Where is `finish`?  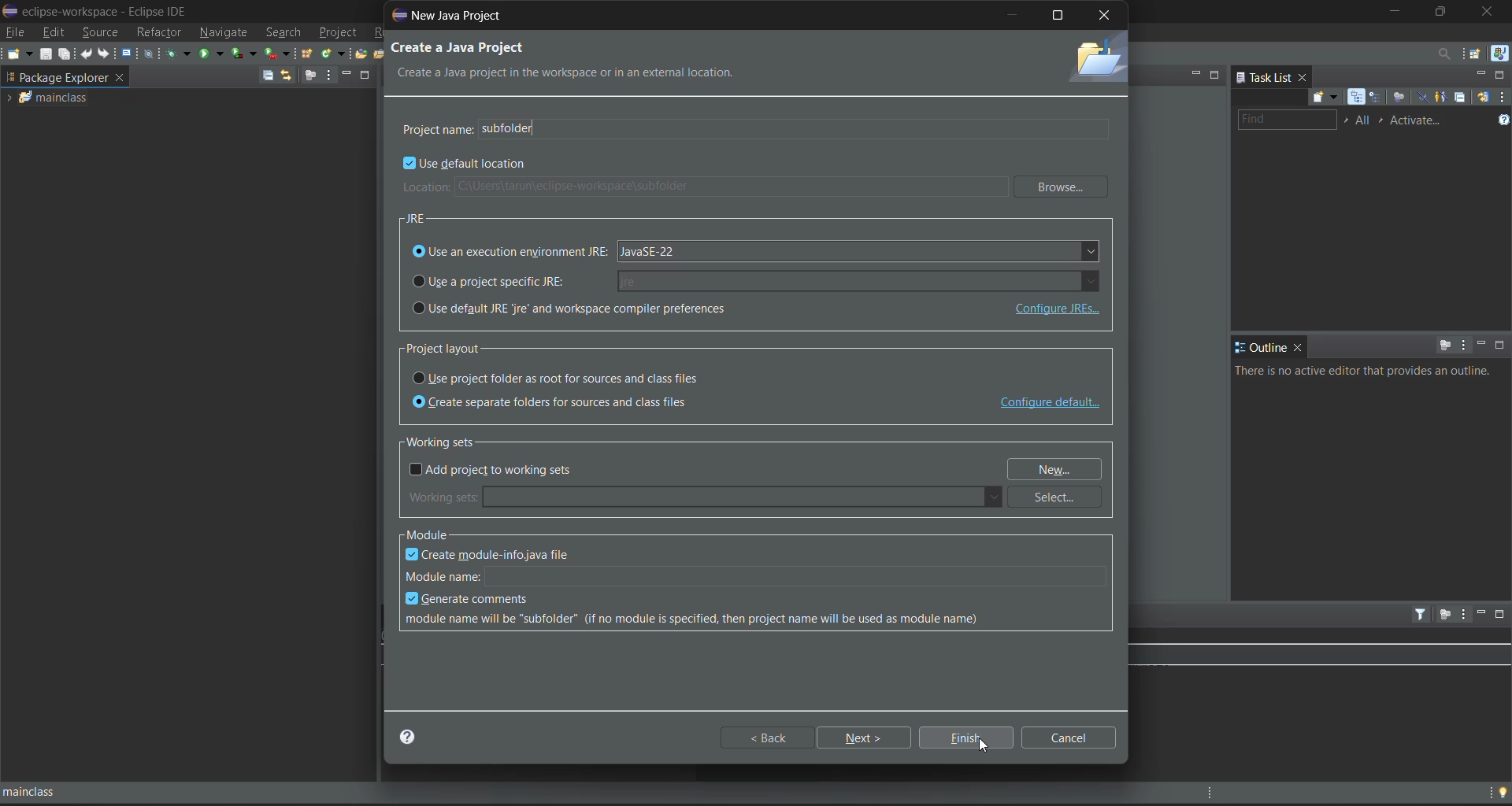
finish is located at coordinates (969, 738).